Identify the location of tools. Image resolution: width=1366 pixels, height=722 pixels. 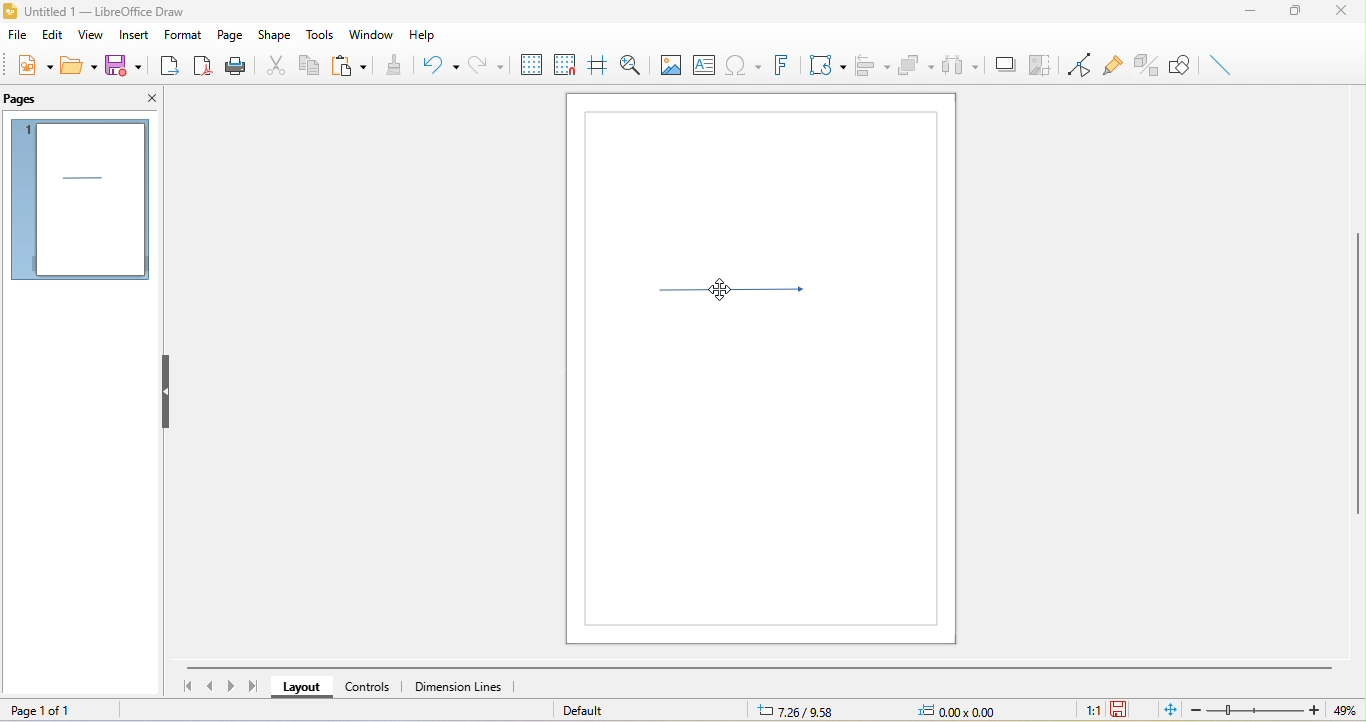
(322, 35).